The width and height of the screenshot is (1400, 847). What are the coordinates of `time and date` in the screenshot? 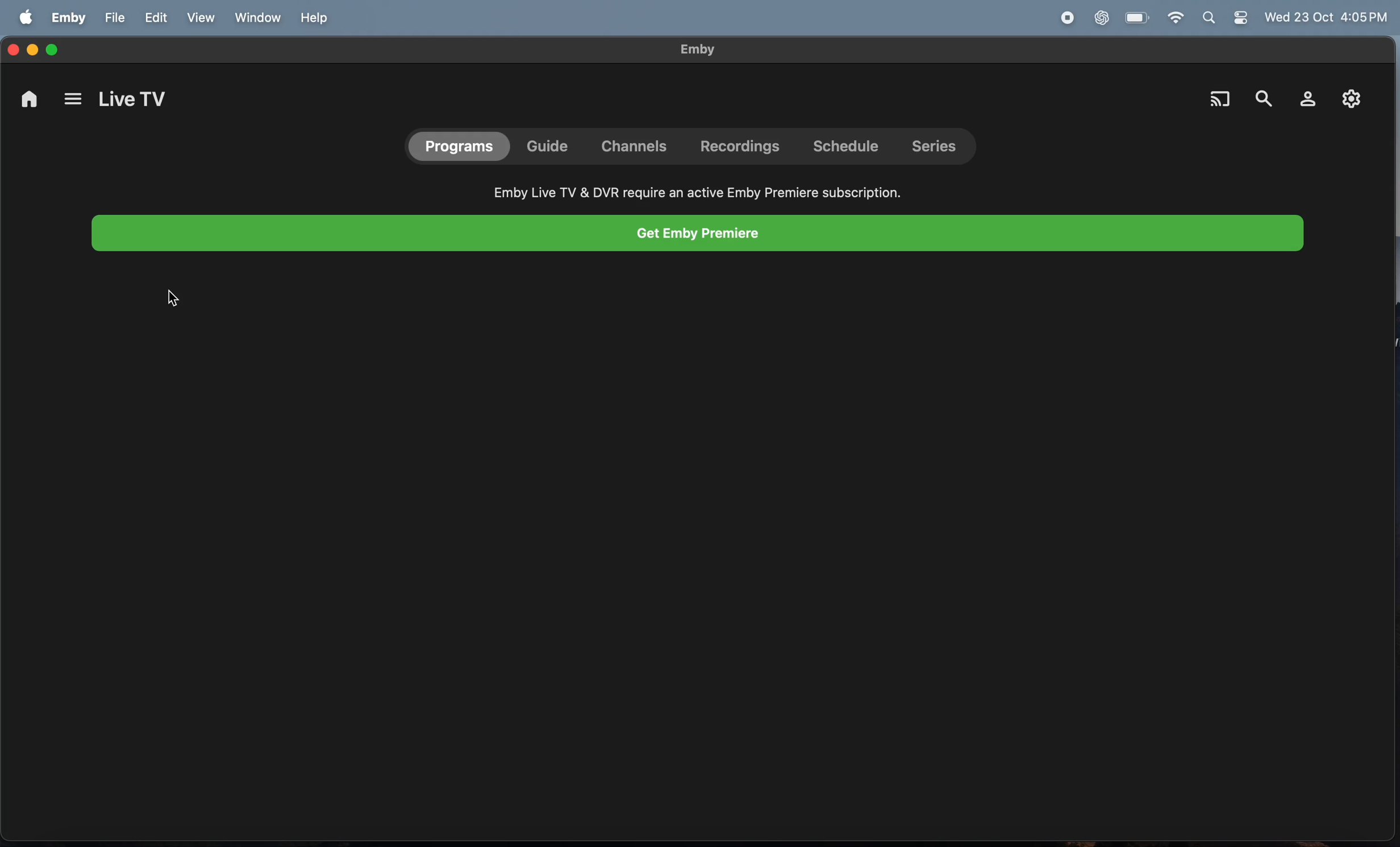 It's located at (1328, 18).